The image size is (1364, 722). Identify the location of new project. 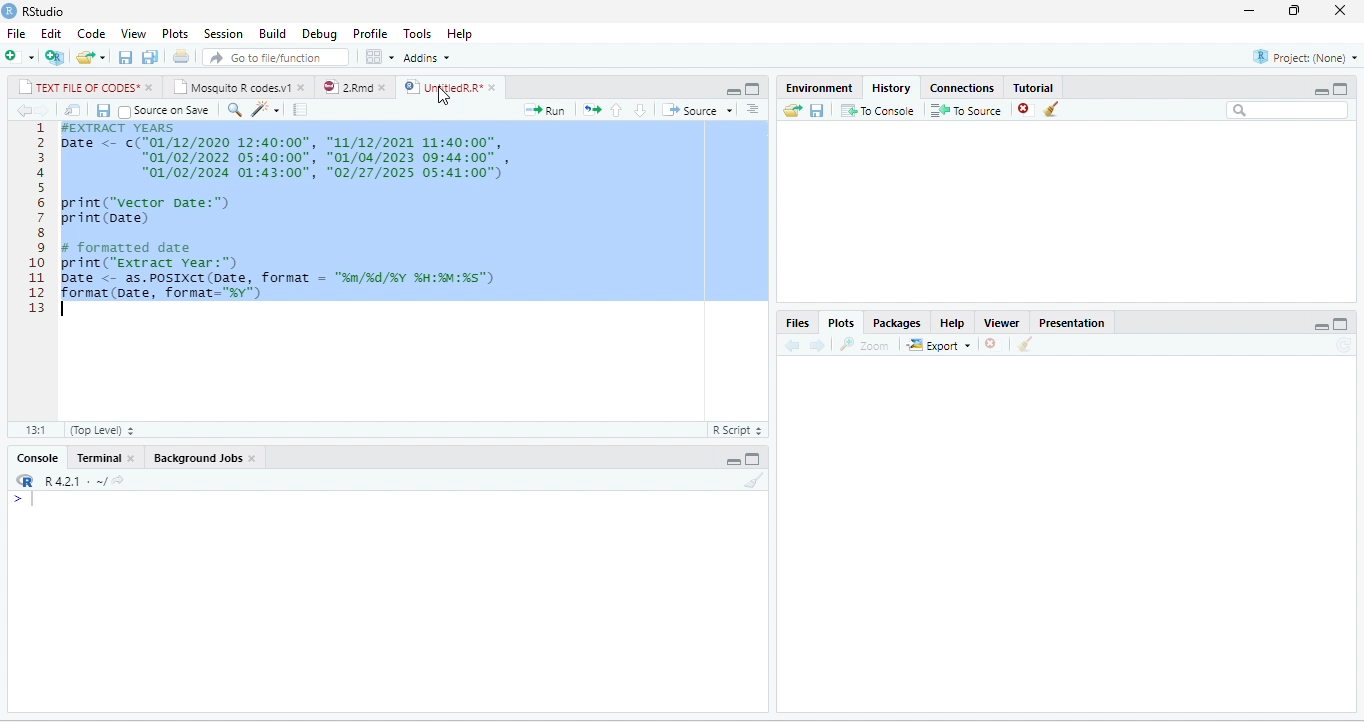
(55, 57).